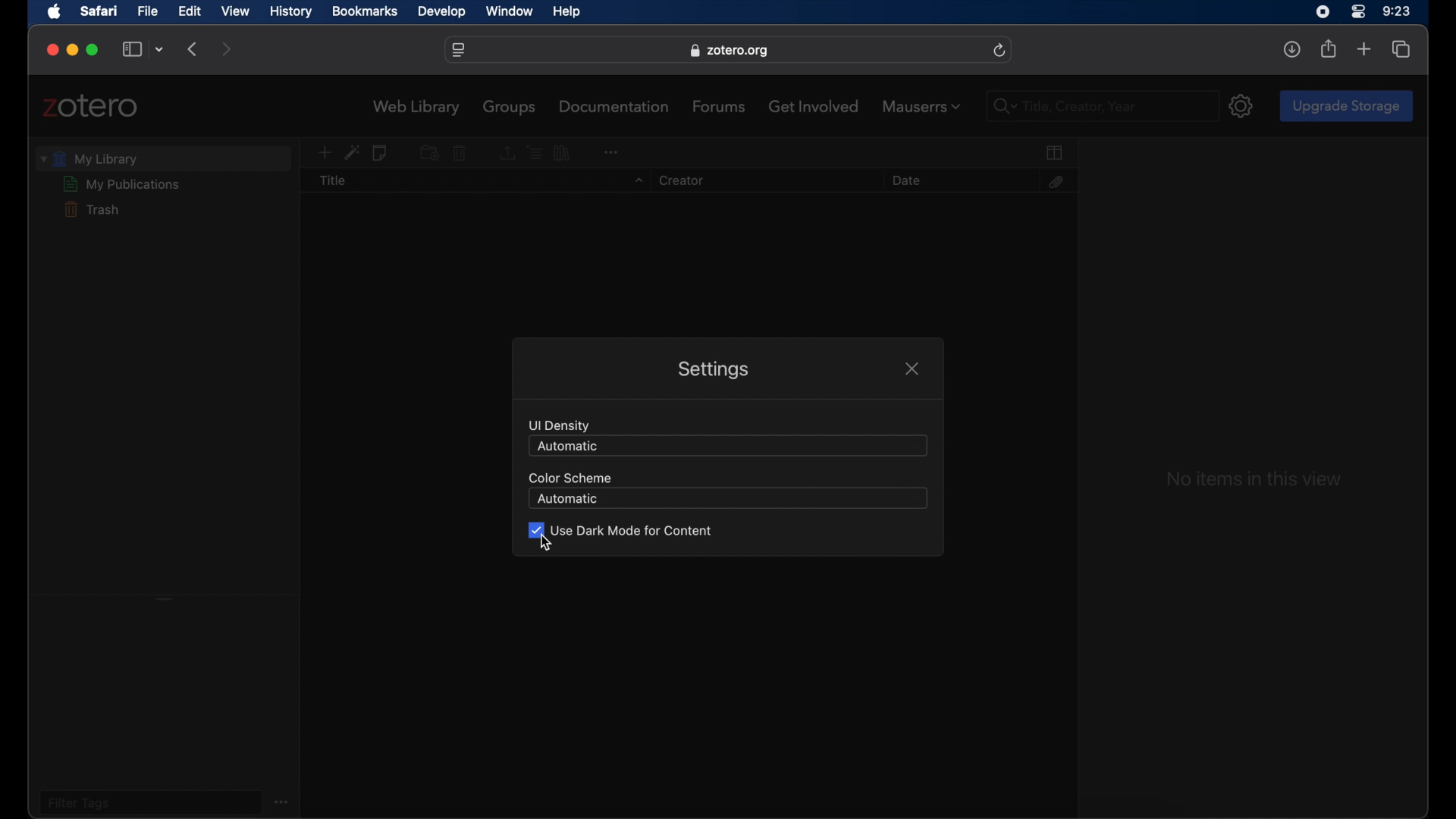  I want to click on new standalone note, so click(381, 153).